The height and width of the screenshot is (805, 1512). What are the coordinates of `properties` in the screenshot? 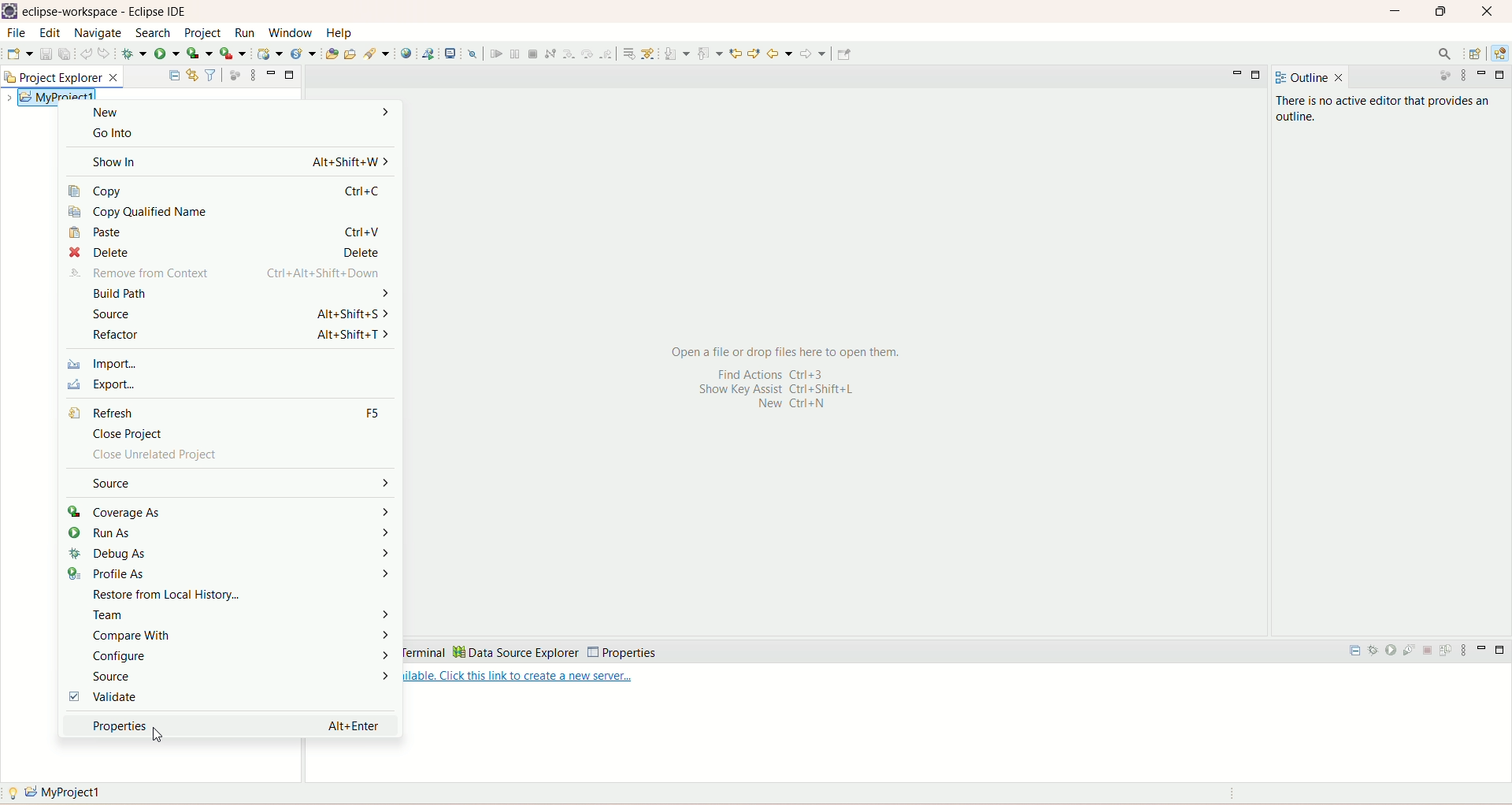 It's located at (232, 726).